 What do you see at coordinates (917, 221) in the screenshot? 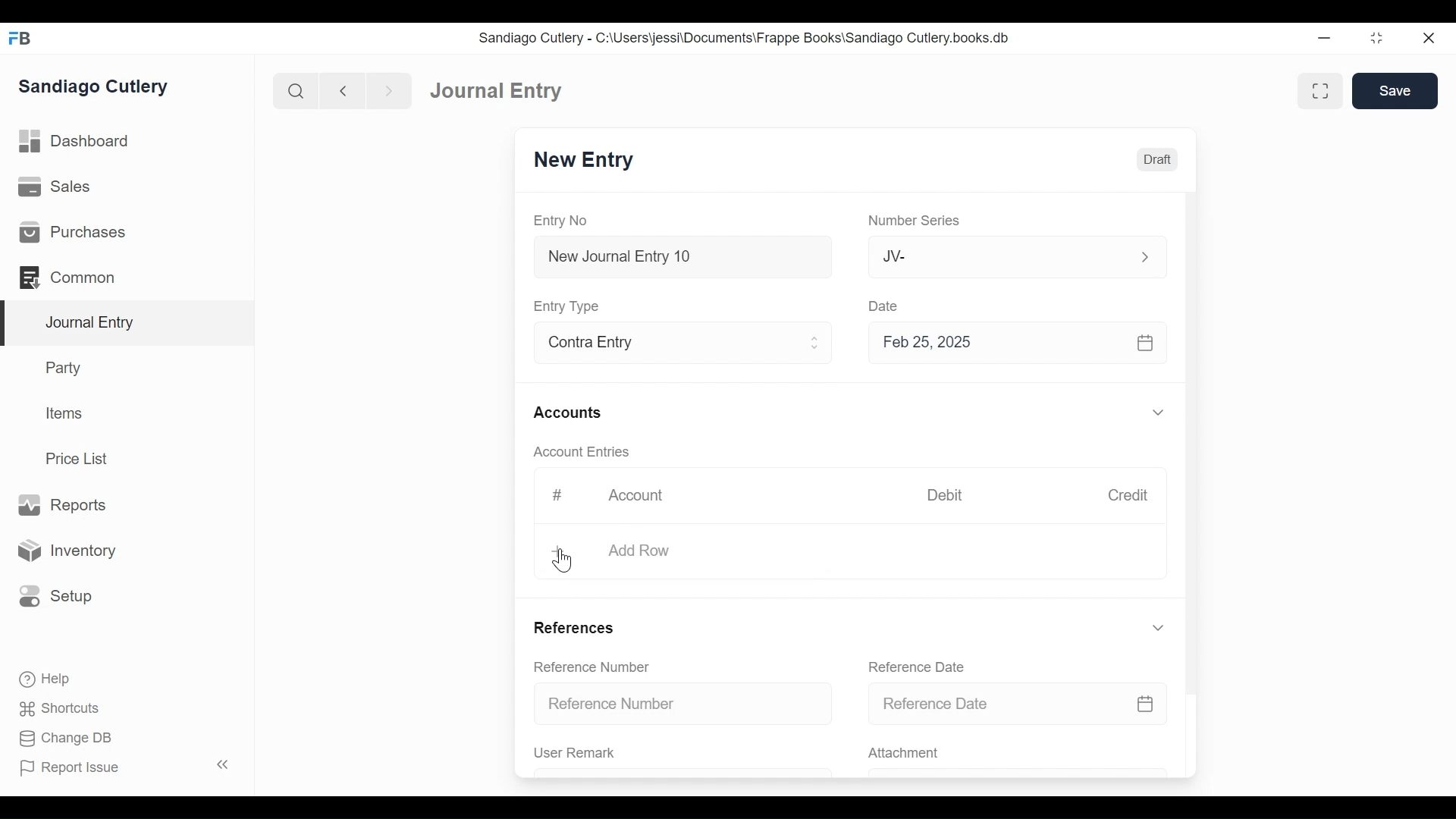
I see `Number Series` at bounding box center [917, 221].